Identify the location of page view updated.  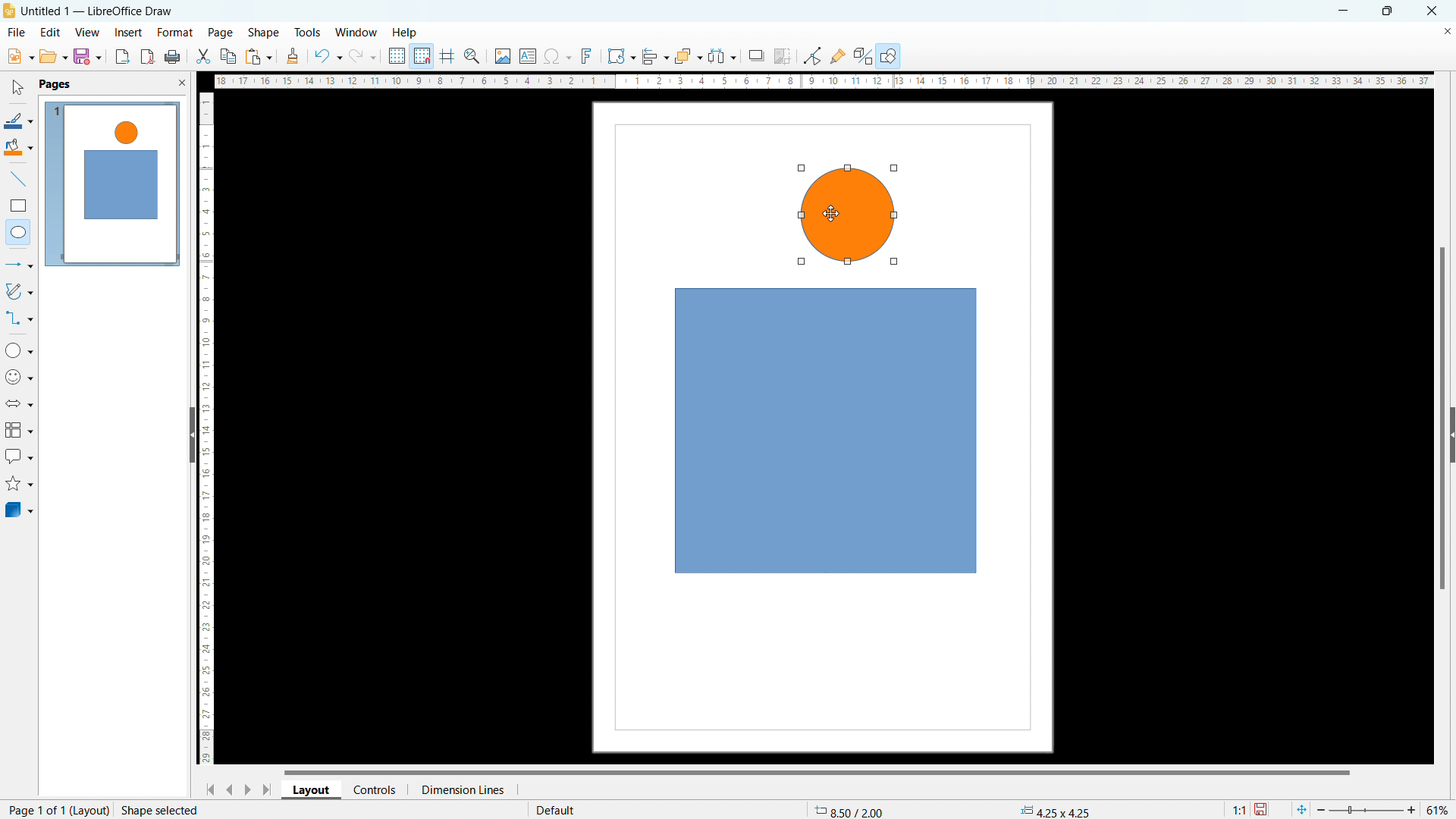
(111, 184).